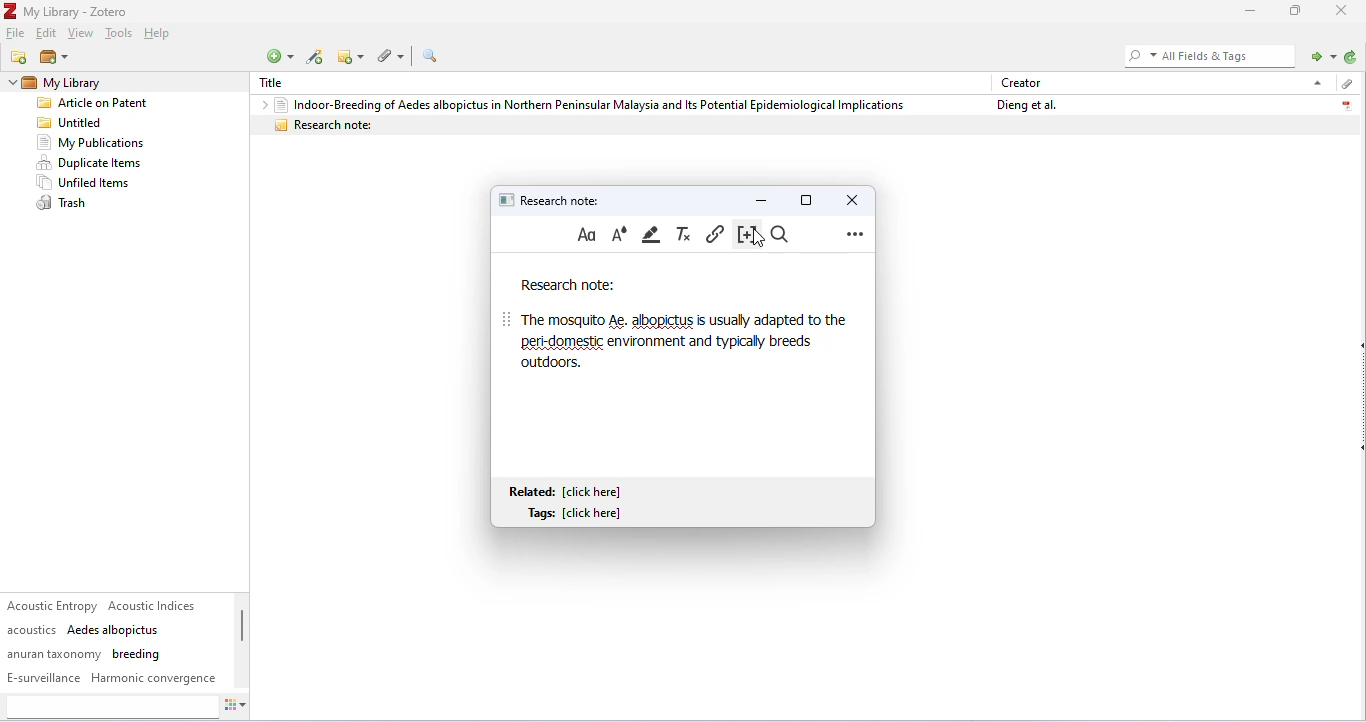 This screenshot has width=1366, height=722. What do you see at coordinates (783, 235) in the screenshot?
I see `find and replace` at bounding box center [783, 235].